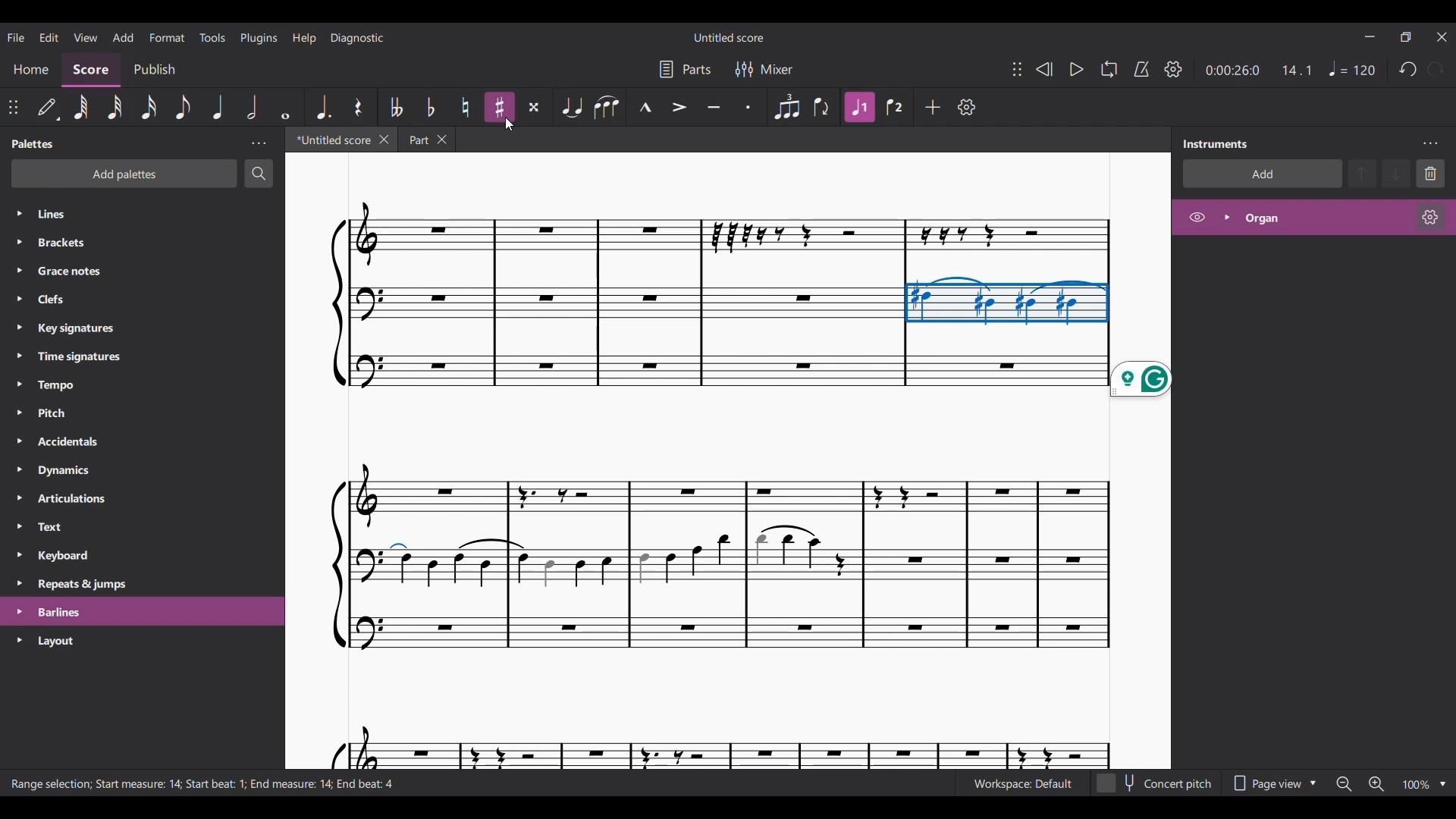 Image resolution: width=1456 pixels, height=819 pixels. What do you see at coordinates (80, 107) in the screenshot?
I see `64th note` at bounding box center [80, 107].